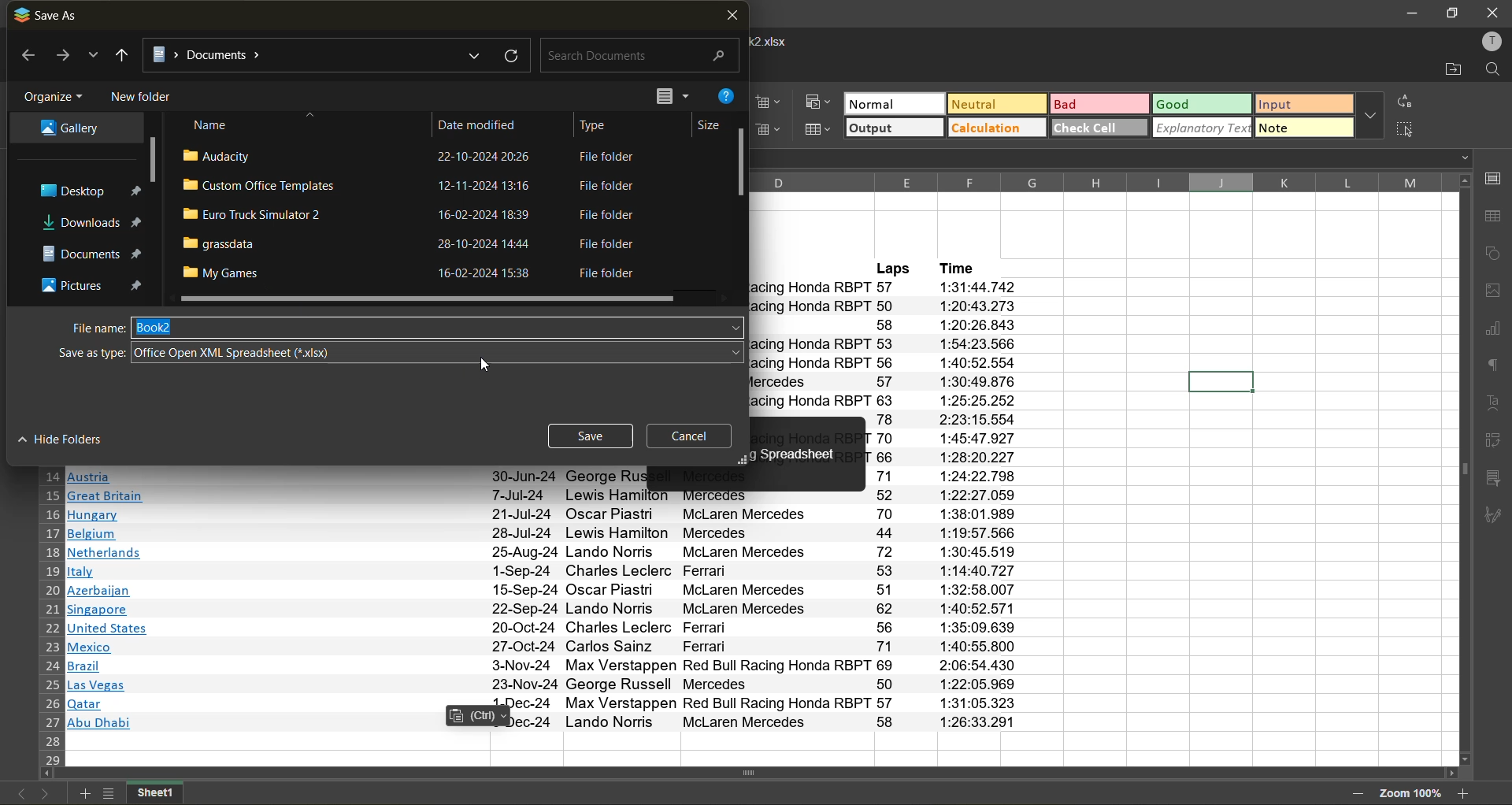 The width and height of the screenshot is (1512, 805). Describe the element at coordinates (315, 53) in the screenshot. I see `file location` at that location.